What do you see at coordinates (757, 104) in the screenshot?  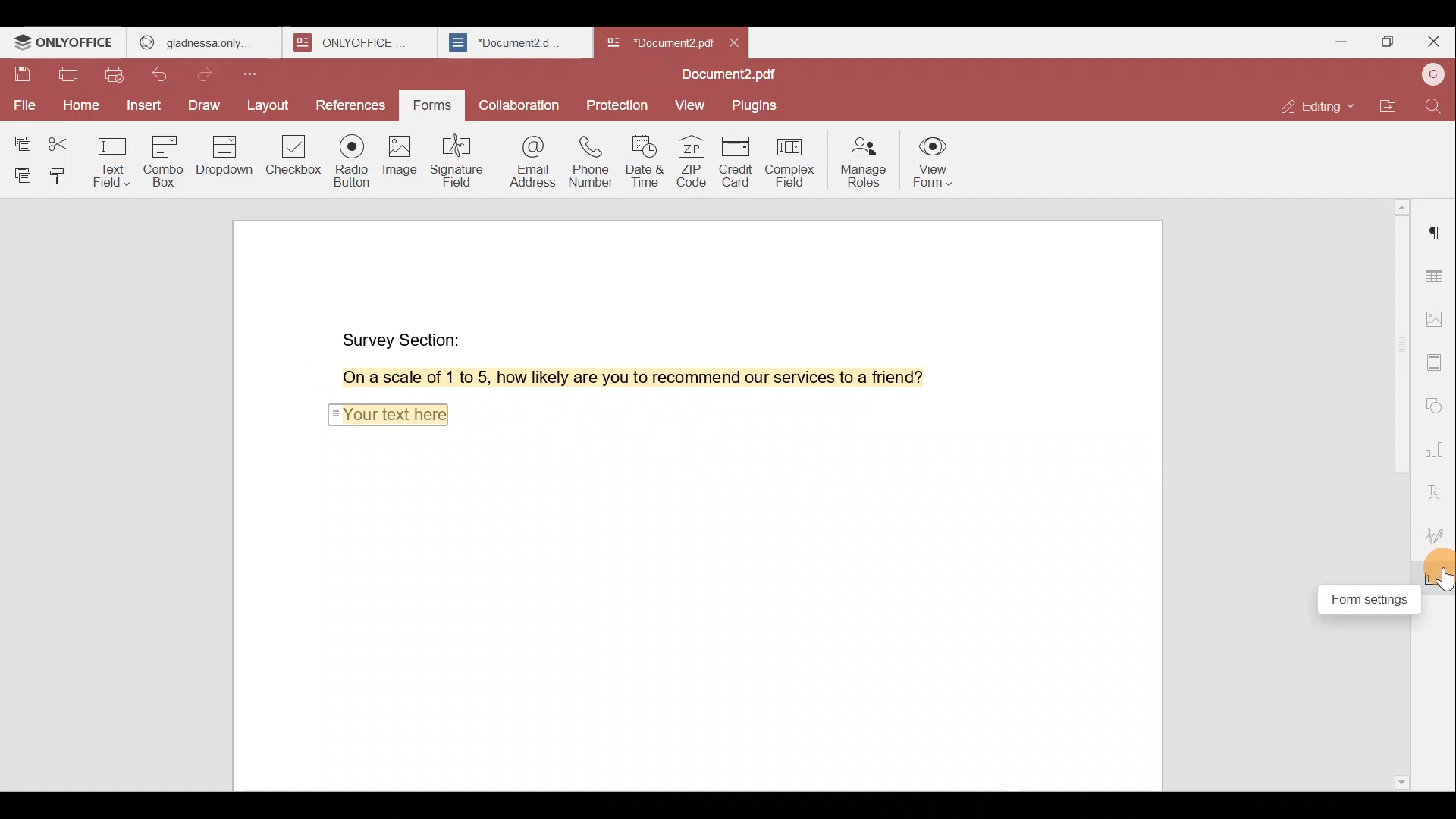 I see `Plugins` at bounding box center [757, 104].